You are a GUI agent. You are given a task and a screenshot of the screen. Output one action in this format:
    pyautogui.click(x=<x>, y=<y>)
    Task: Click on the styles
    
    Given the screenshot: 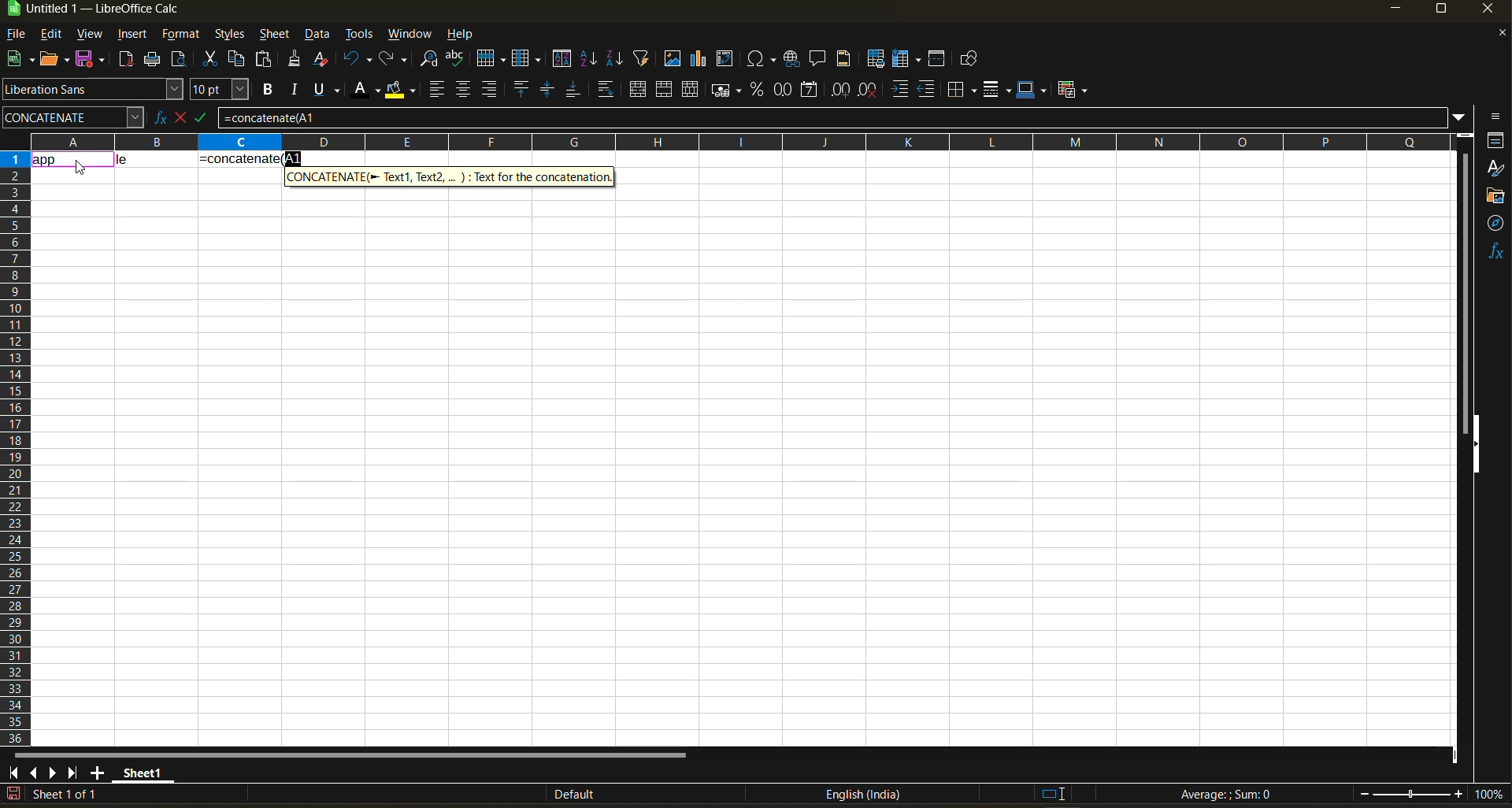 What is the action you would take?
    pyautogui.click(x=1495, y=169)
    